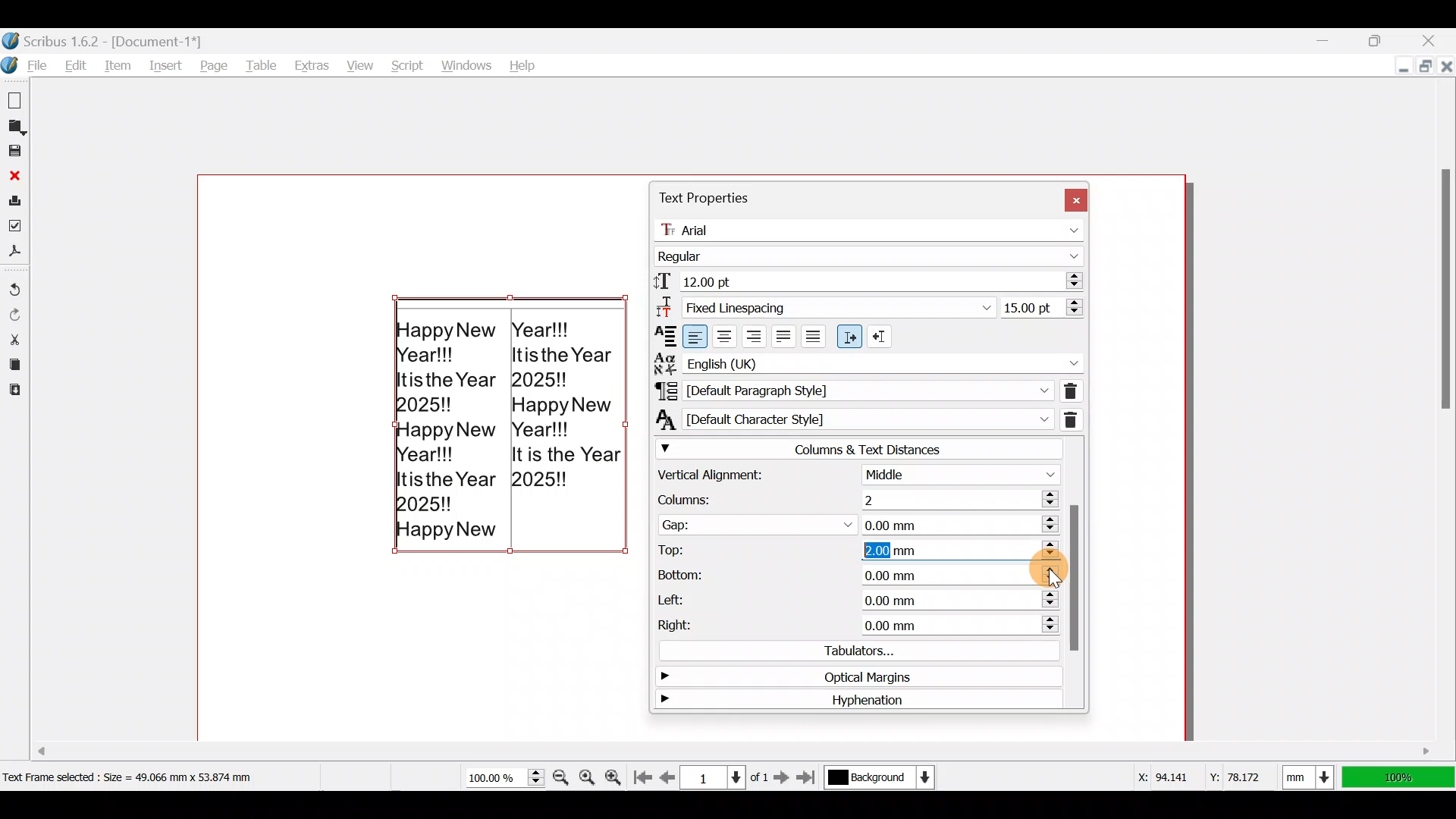 This screenshot has width=1456, height=819. Describe the element at coordinates (852, 701) in the screenshot. I see `Hyphenation` at that location.